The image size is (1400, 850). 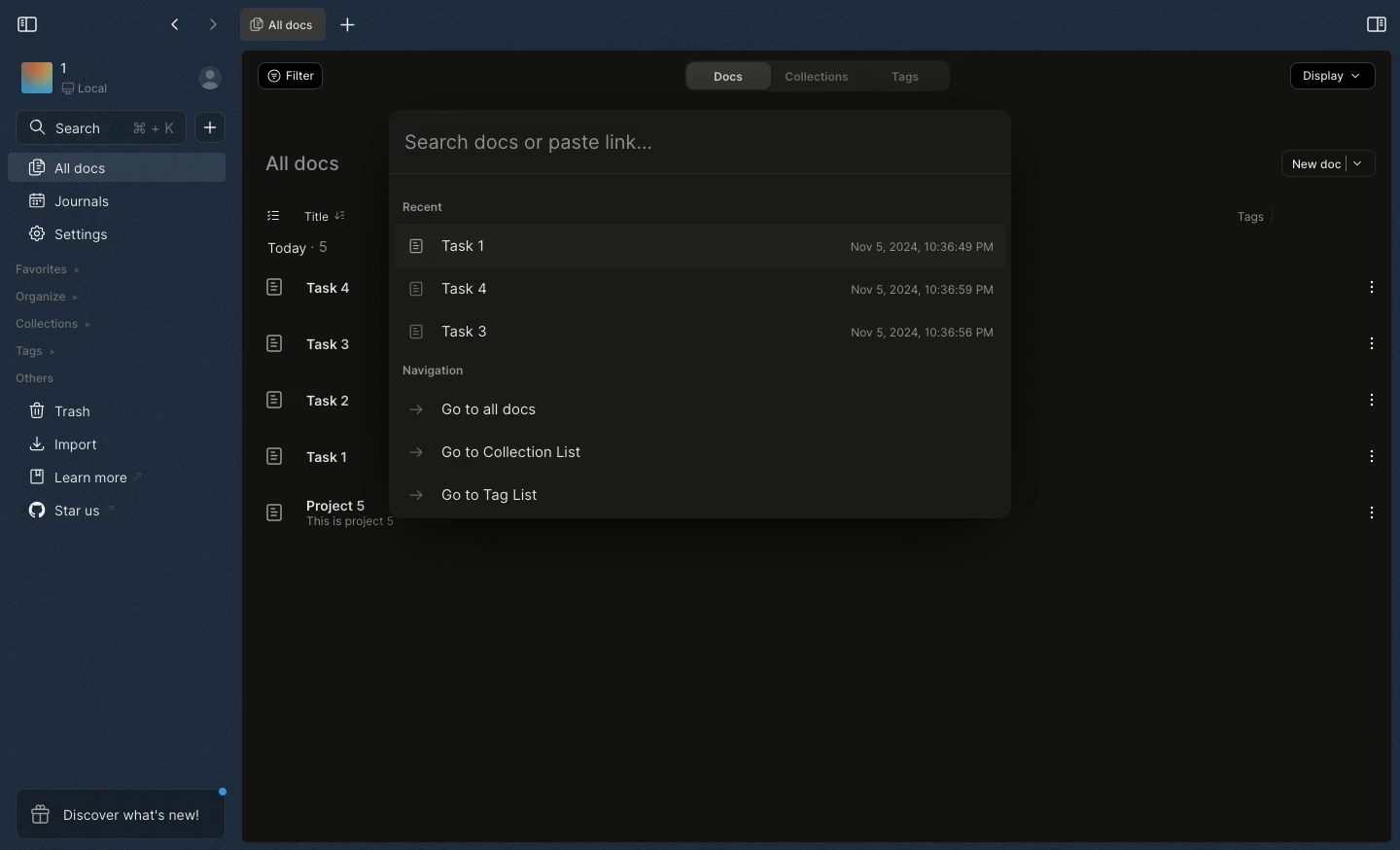 What do you see at coordinates (62, 409) in the screenshot?
I see `Trash` at bounding box center [62, 409].